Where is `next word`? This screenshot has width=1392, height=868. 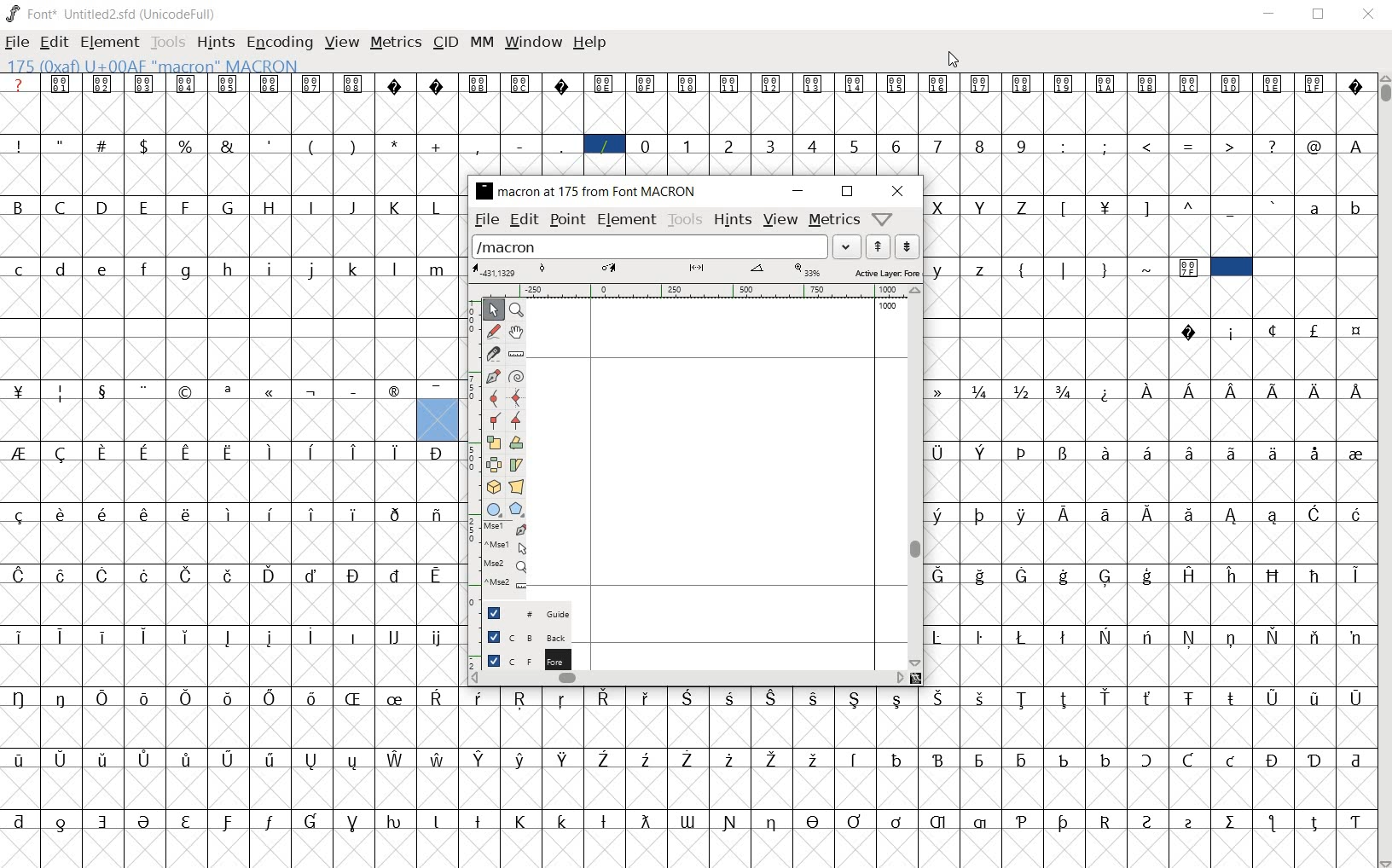
next word is located at coordinates (908, 246).